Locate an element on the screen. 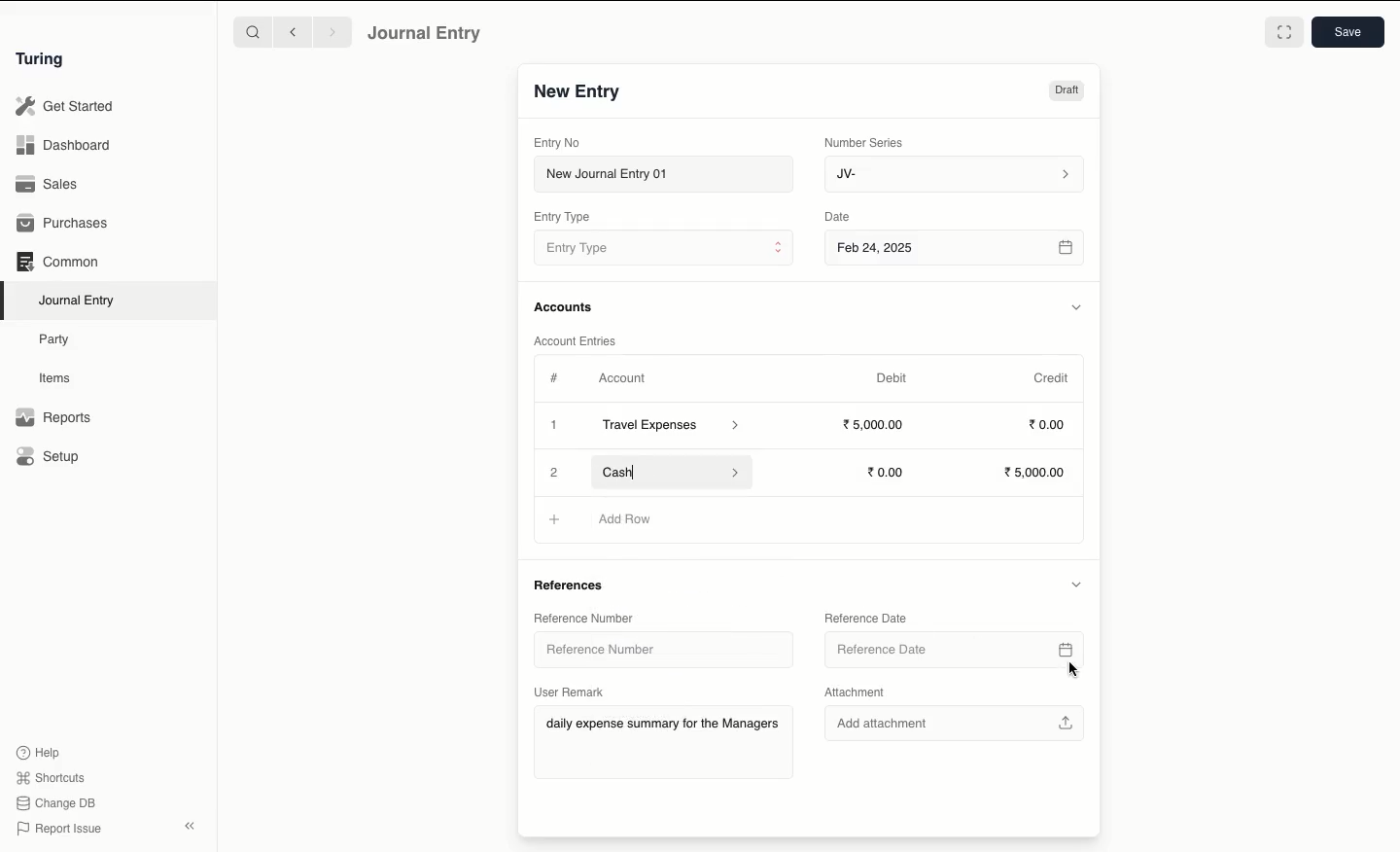 Image resolution: width=1400 pixels, height=852 pixels. Common is located at coordinates (59, 262).